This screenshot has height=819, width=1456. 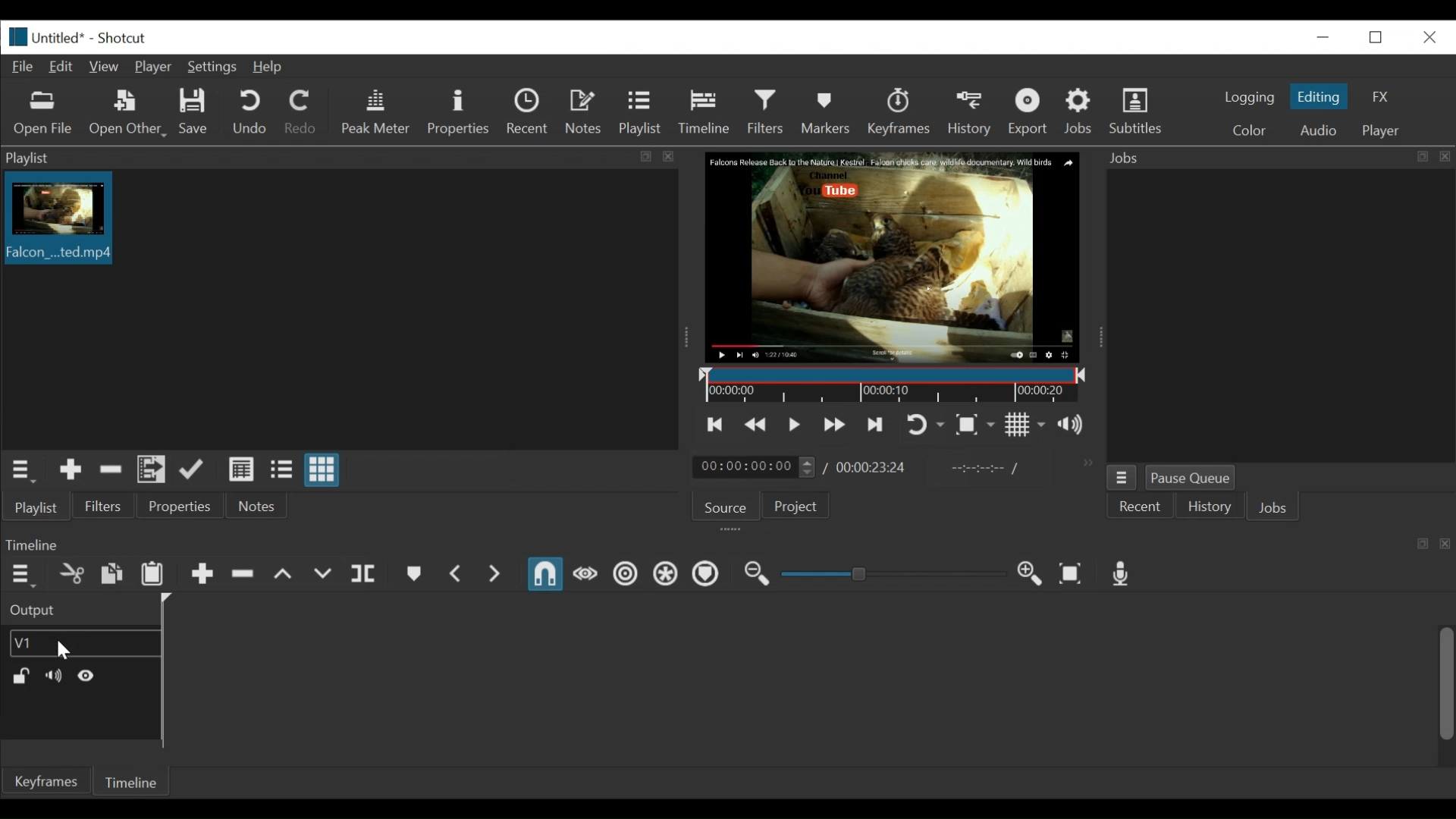 What do you see at coordinates (716, 425) in the screenshot?
I see `Skip to the previous point` at bounding box center [716, 425].